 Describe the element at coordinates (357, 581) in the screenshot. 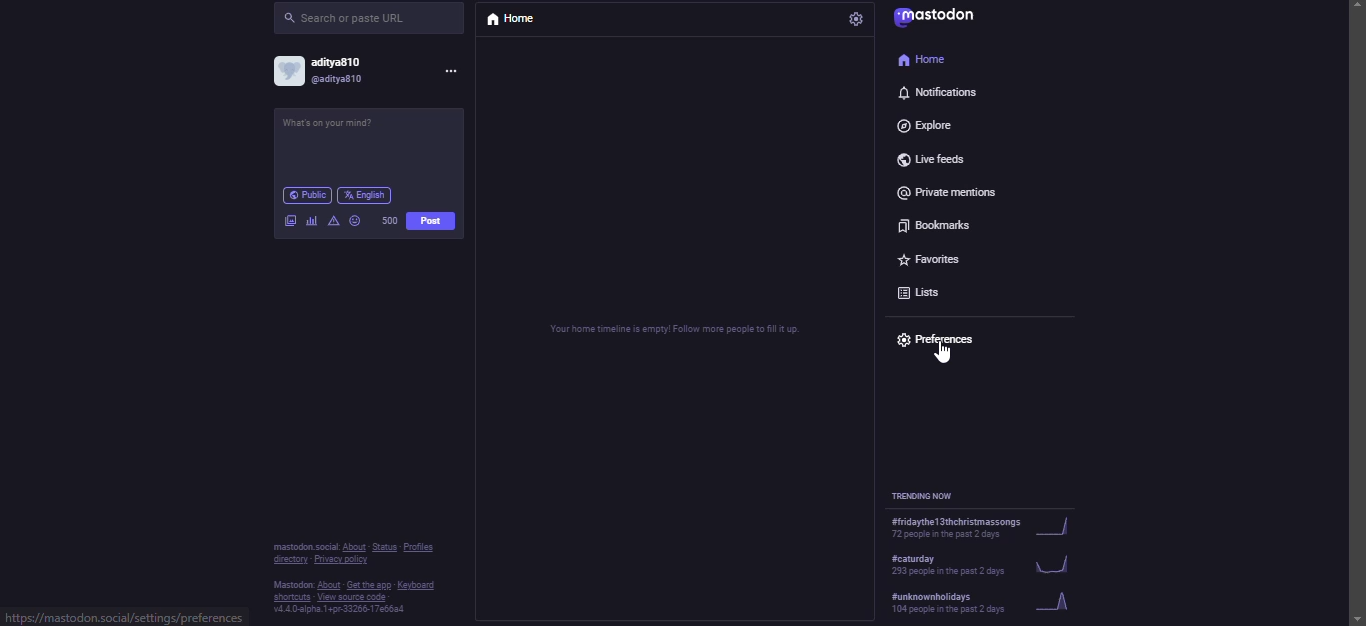

I see `info` at that location.